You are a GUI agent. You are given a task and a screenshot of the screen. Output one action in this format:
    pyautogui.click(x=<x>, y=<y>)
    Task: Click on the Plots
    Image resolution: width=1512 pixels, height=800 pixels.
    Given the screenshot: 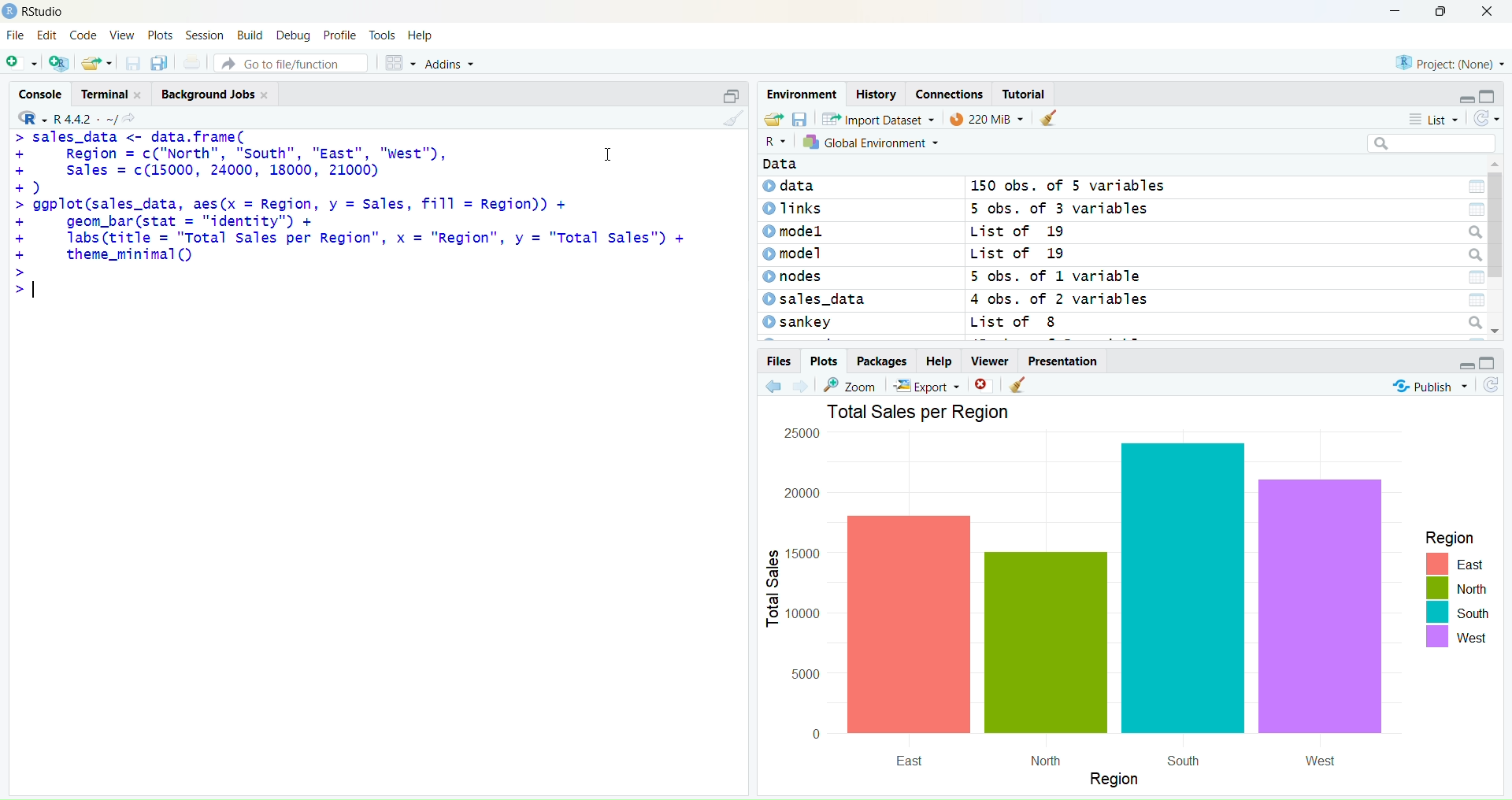 What is the action you would take?
    pyautogui.click(x=160, y=33)
    